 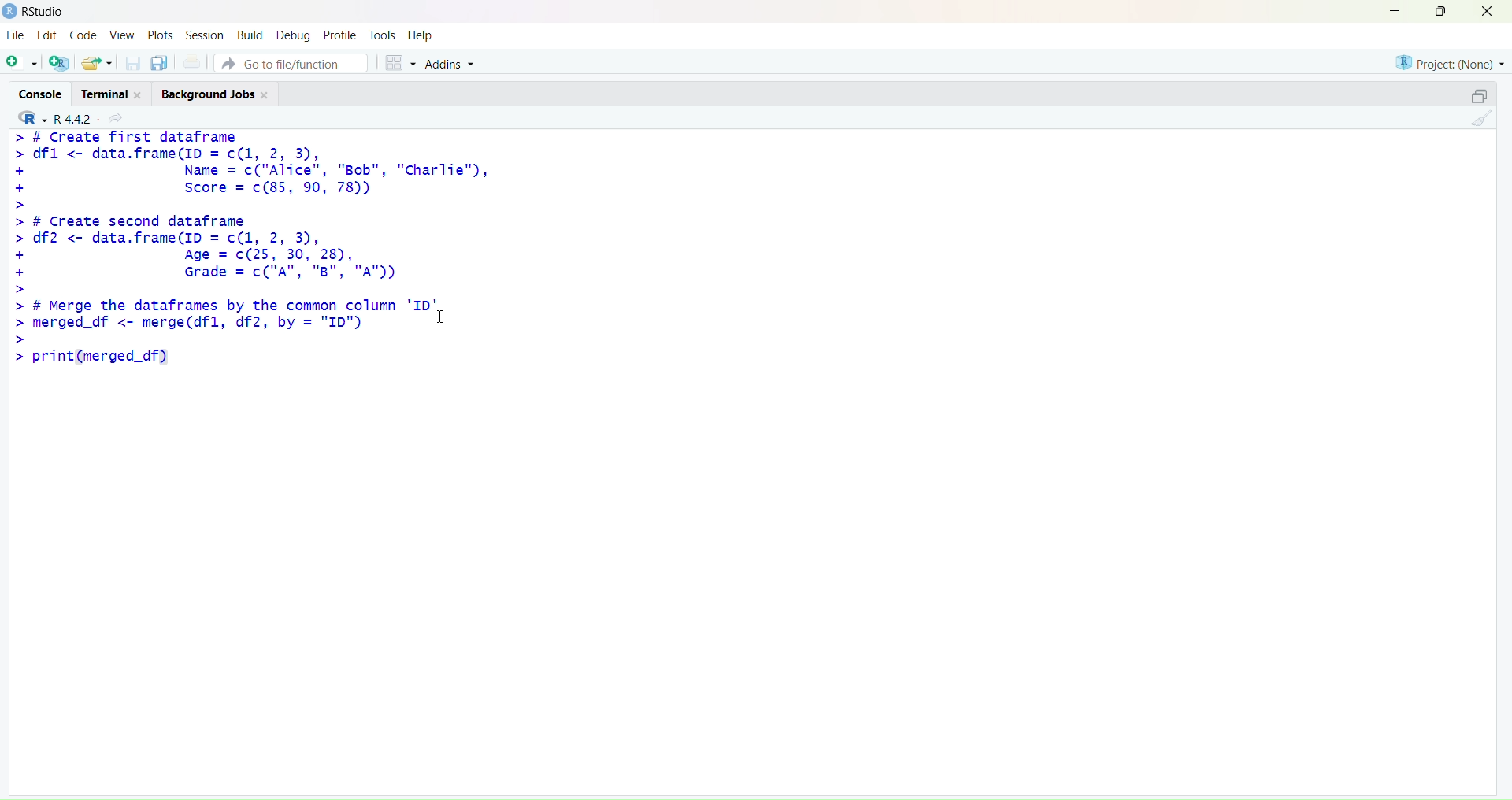 What do you see at coordinates (159, 35) in the screenshot?
I see `Plots` at bounding box center [159, 35].